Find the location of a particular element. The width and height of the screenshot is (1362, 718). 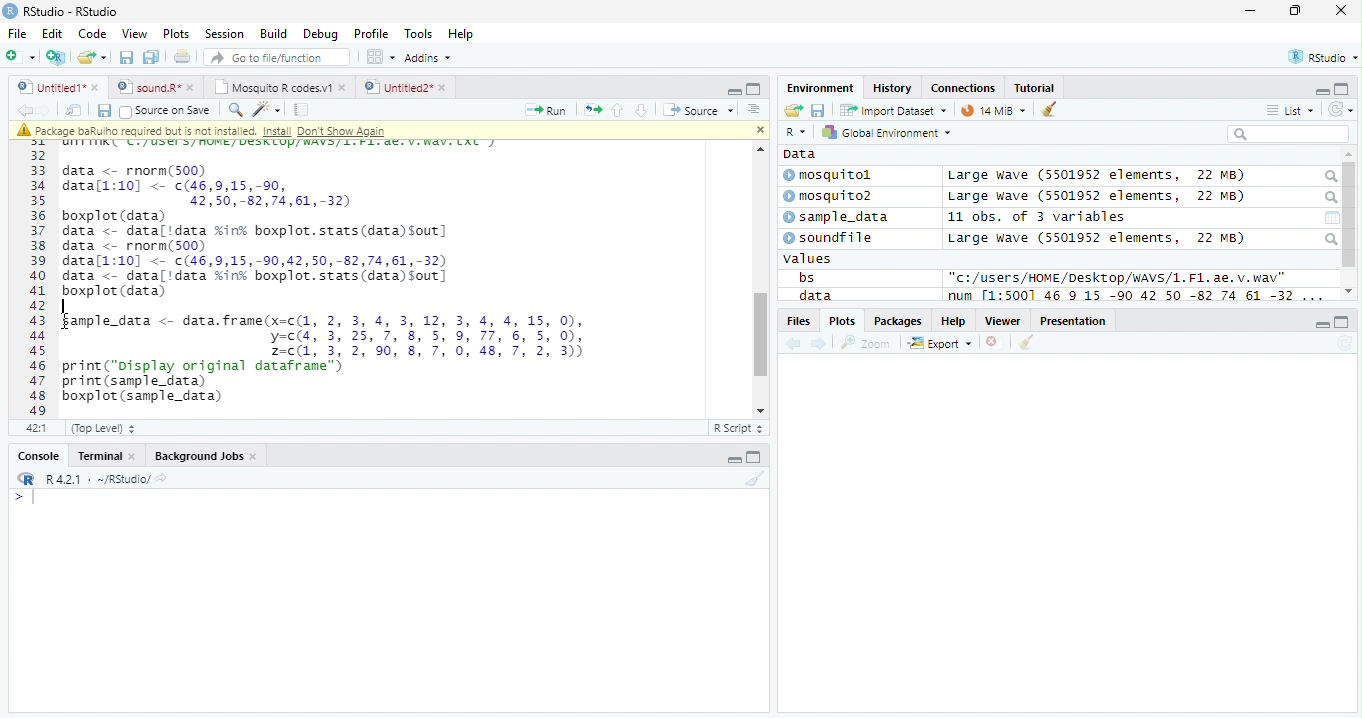

Show document outline is located at coordinates (753, 109).